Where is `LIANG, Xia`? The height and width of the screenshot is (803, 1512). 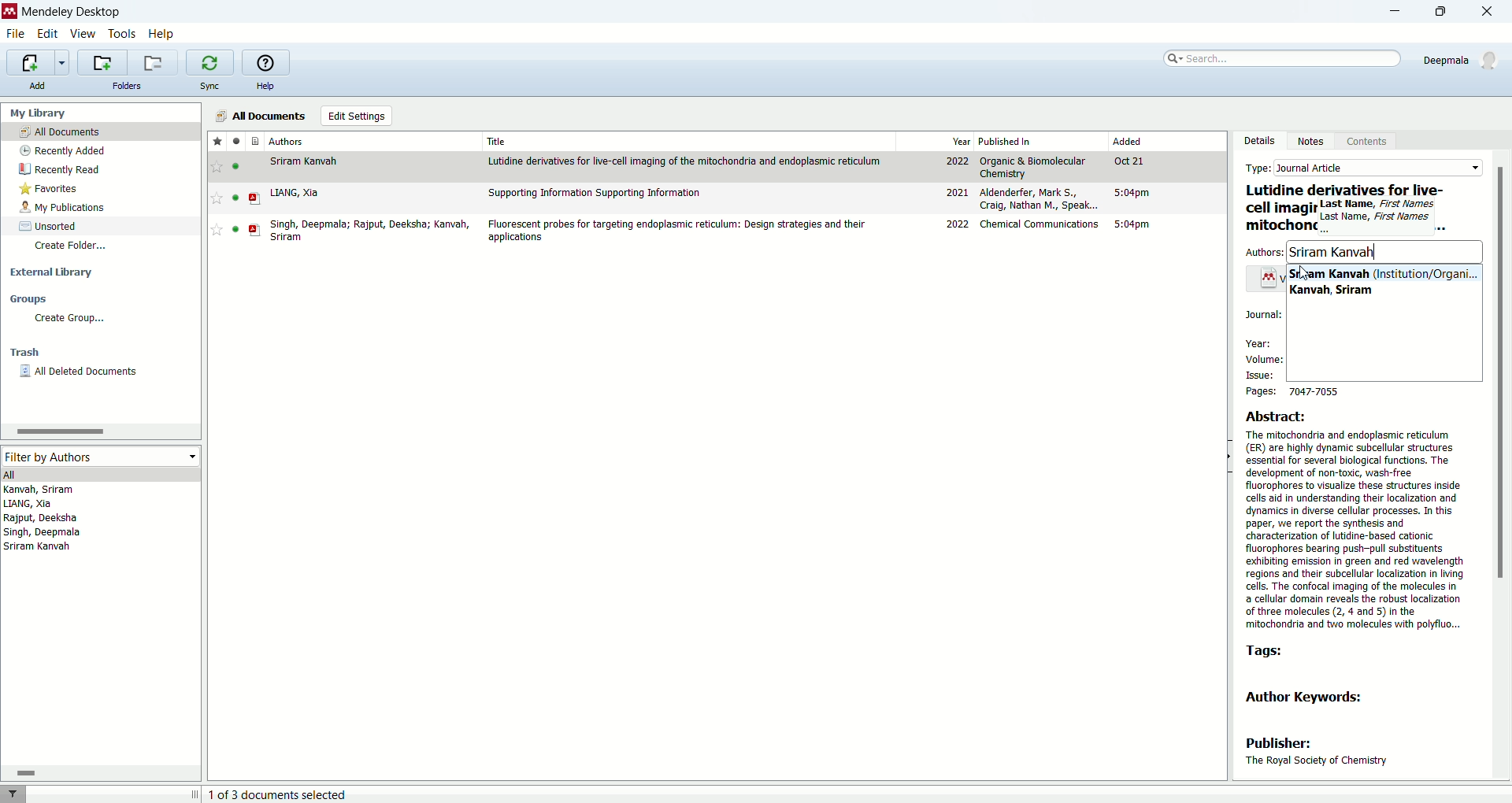 LIANG, Xia is located at coordinates (30, 505).